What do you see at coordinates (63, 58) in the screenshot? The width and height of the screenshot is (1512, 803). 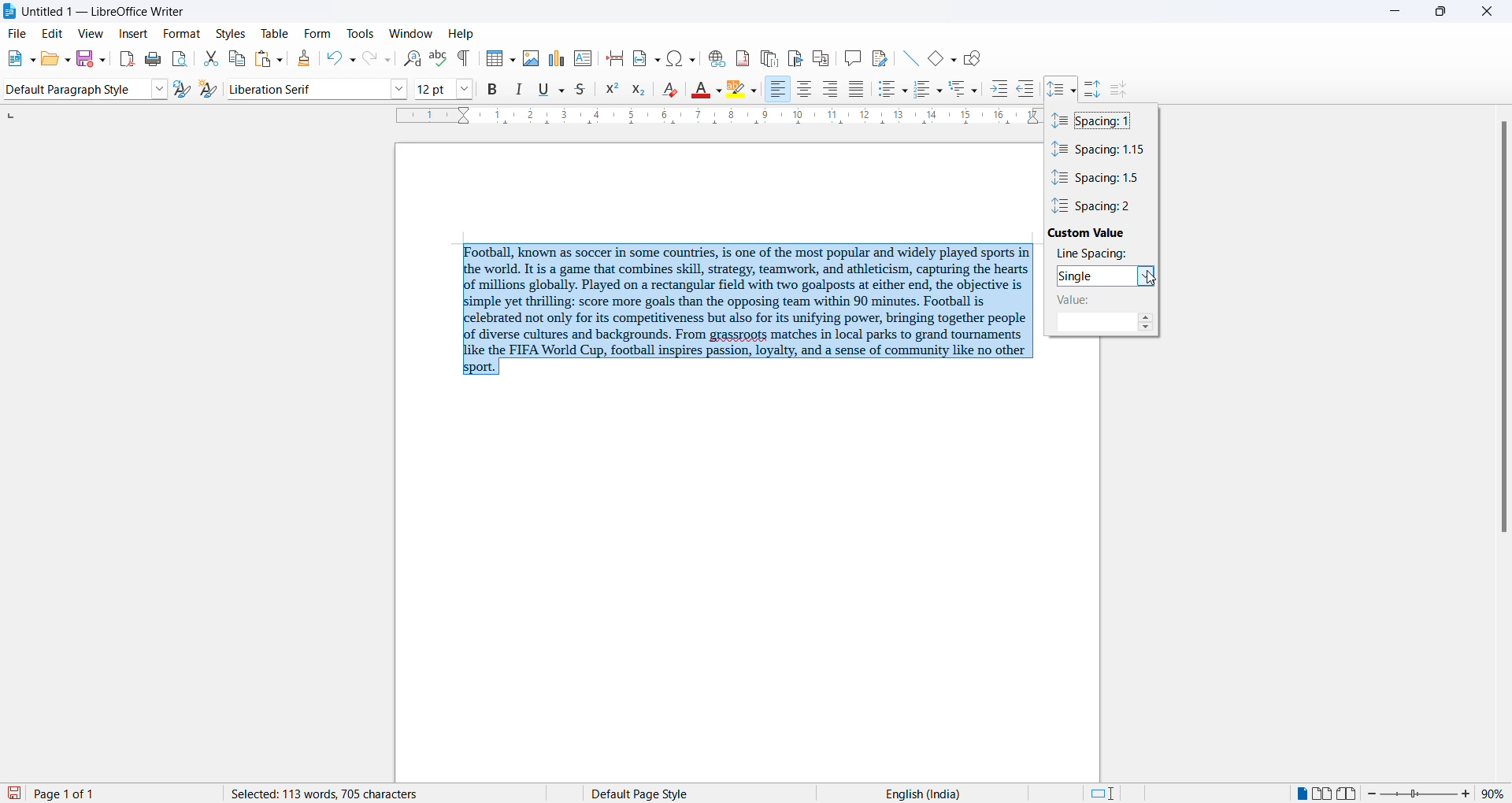 I see `open options` at bounding box center [63, 58].